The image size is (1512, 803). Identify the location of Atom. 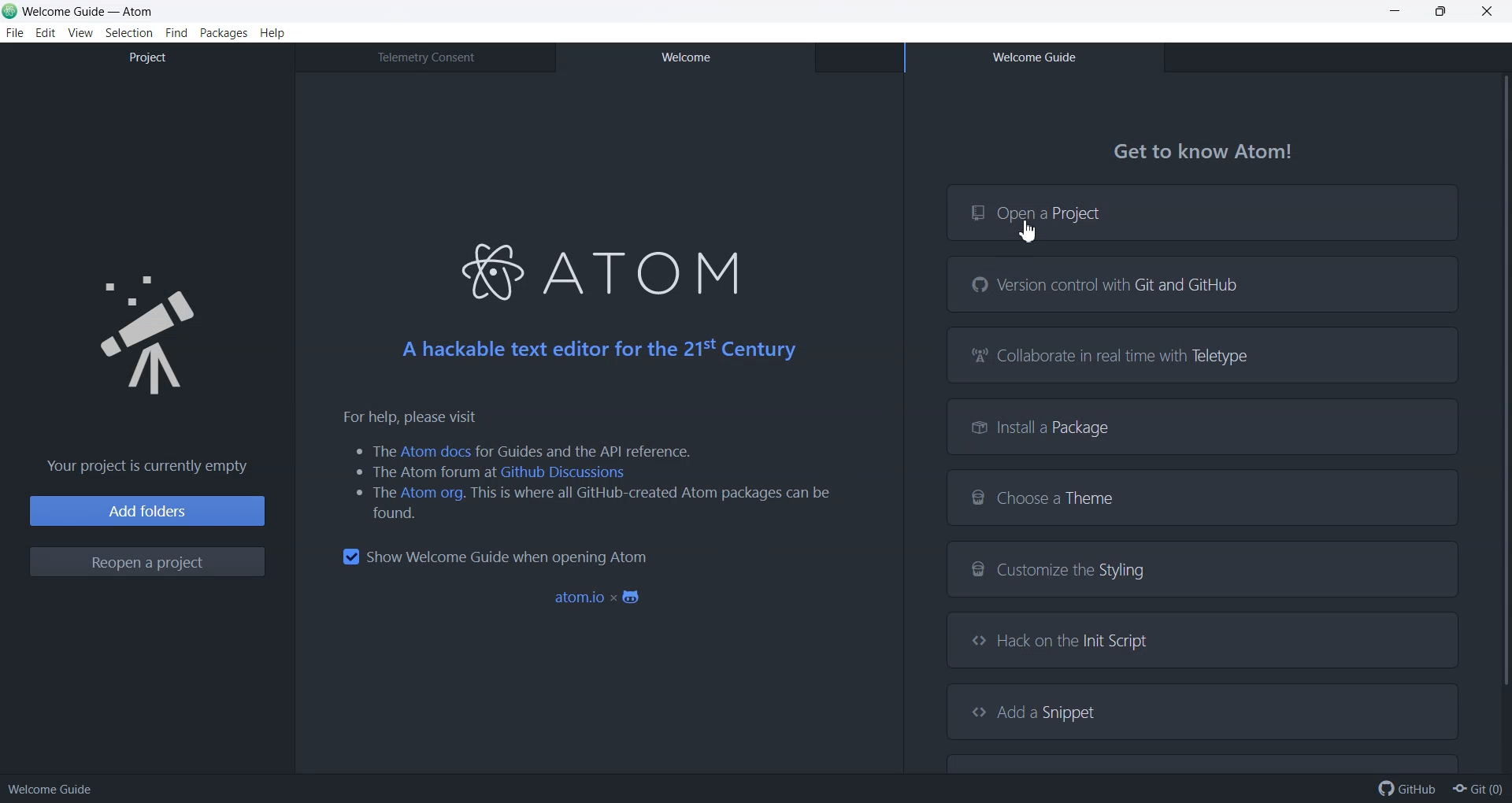
(593, 268).